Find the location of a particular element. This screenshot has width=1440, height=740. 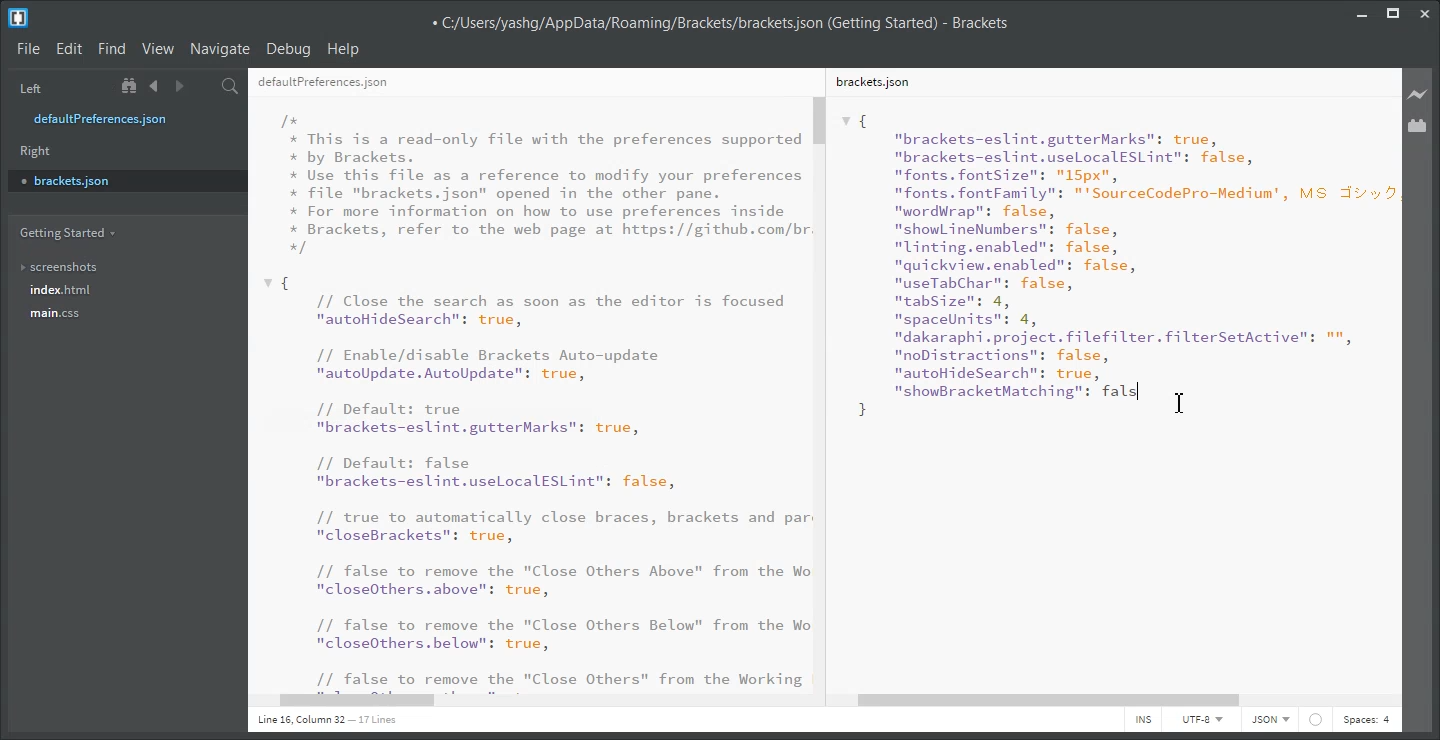

Left is located at coordinates (28, 87).